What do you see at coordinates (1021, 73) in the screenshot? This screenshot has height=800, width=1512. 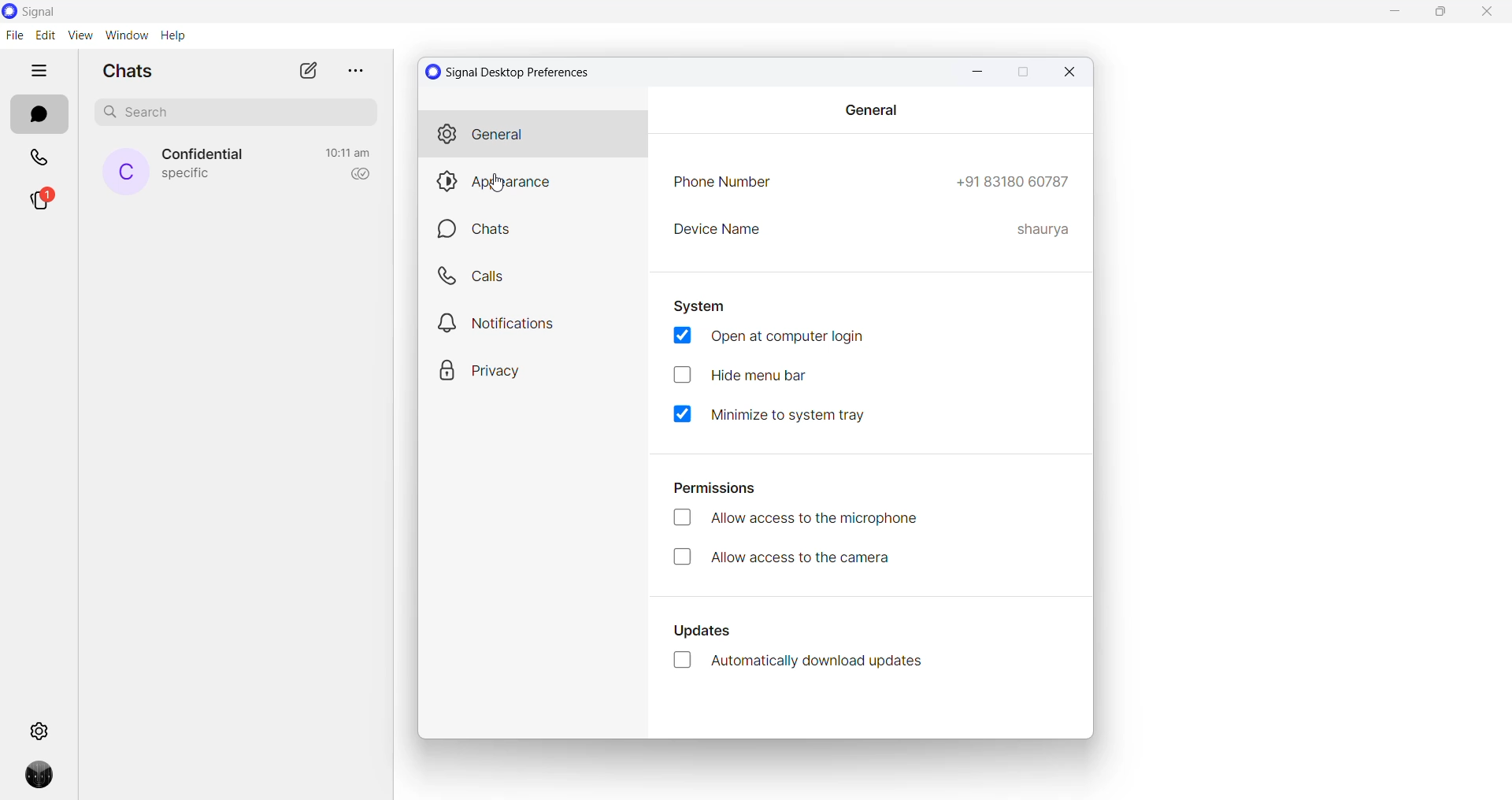 I see `maximize` at bounding box center [1021, 73].